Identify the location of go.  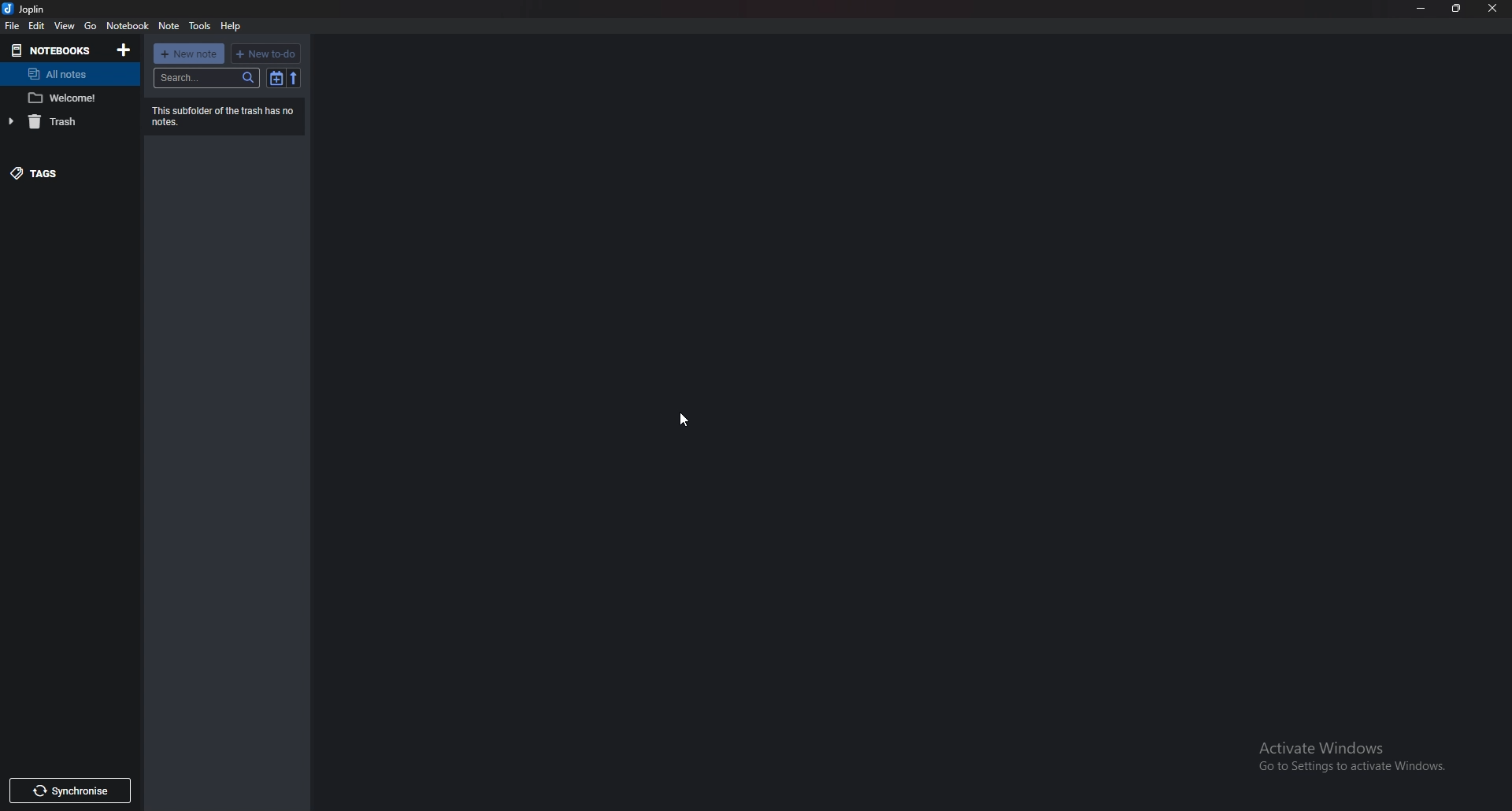
(91, 26).